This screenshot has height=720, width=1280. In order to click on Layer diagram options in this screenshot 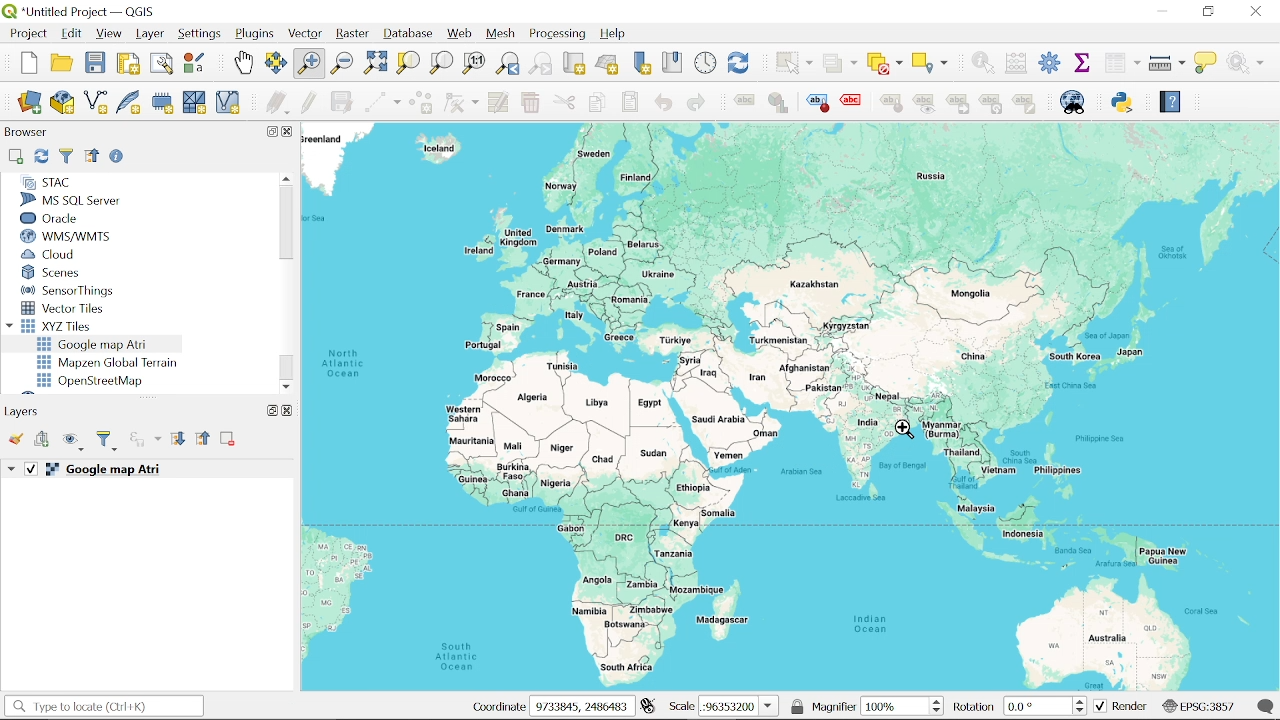, I will do `click(777, 103)`.